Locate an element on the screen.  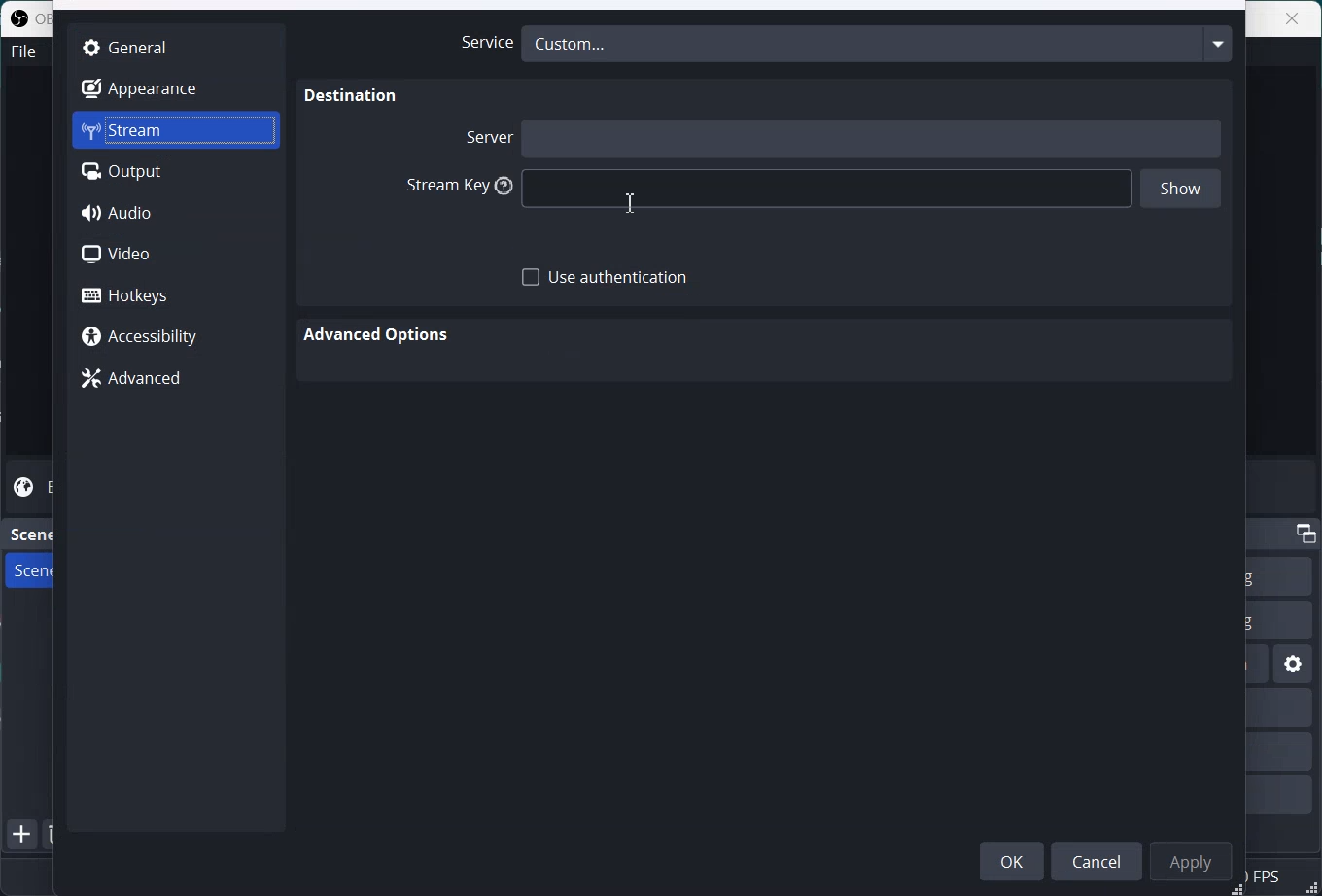
Use Authentication is located at coordinates (606, 278).